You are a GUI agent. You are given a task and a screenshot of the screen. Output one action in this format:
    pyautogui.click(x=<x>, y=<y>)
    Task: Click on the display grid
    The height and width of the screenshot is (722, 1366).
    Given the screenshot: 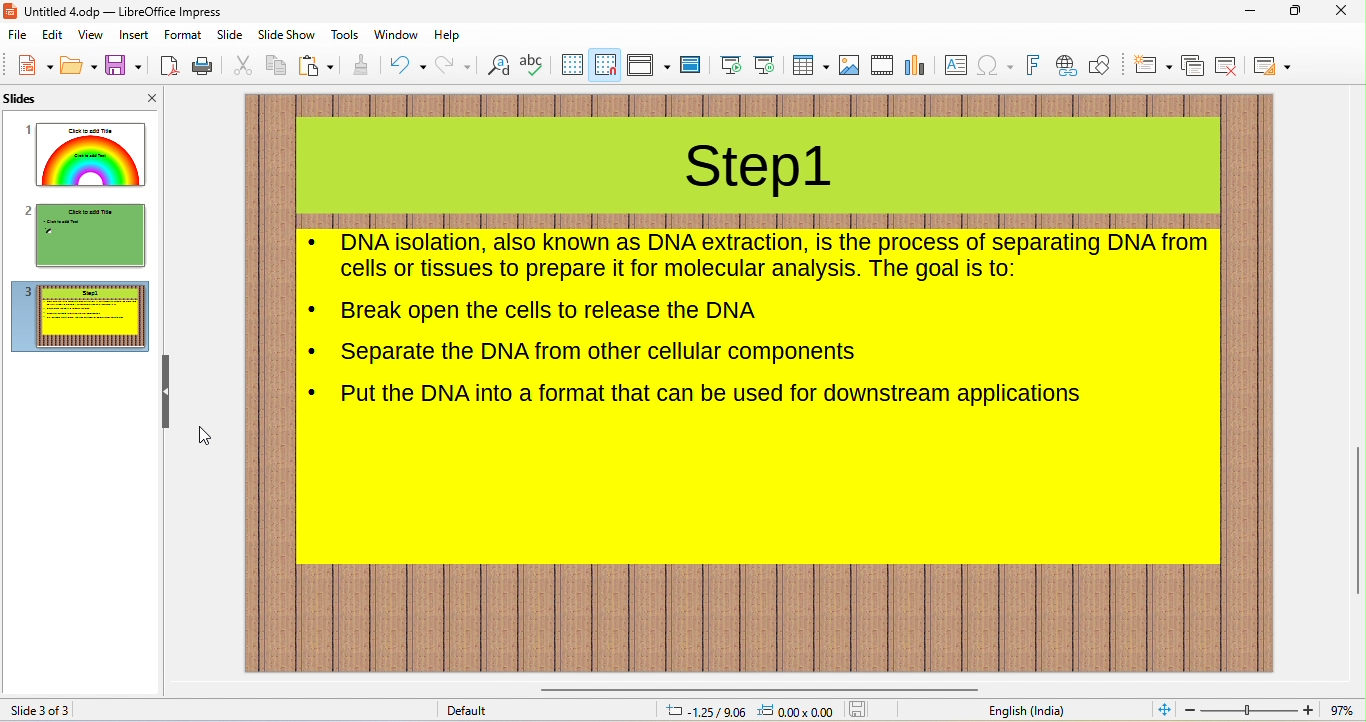 What is the action you would take?
    pyautogui.click(x=570, y=65)
    